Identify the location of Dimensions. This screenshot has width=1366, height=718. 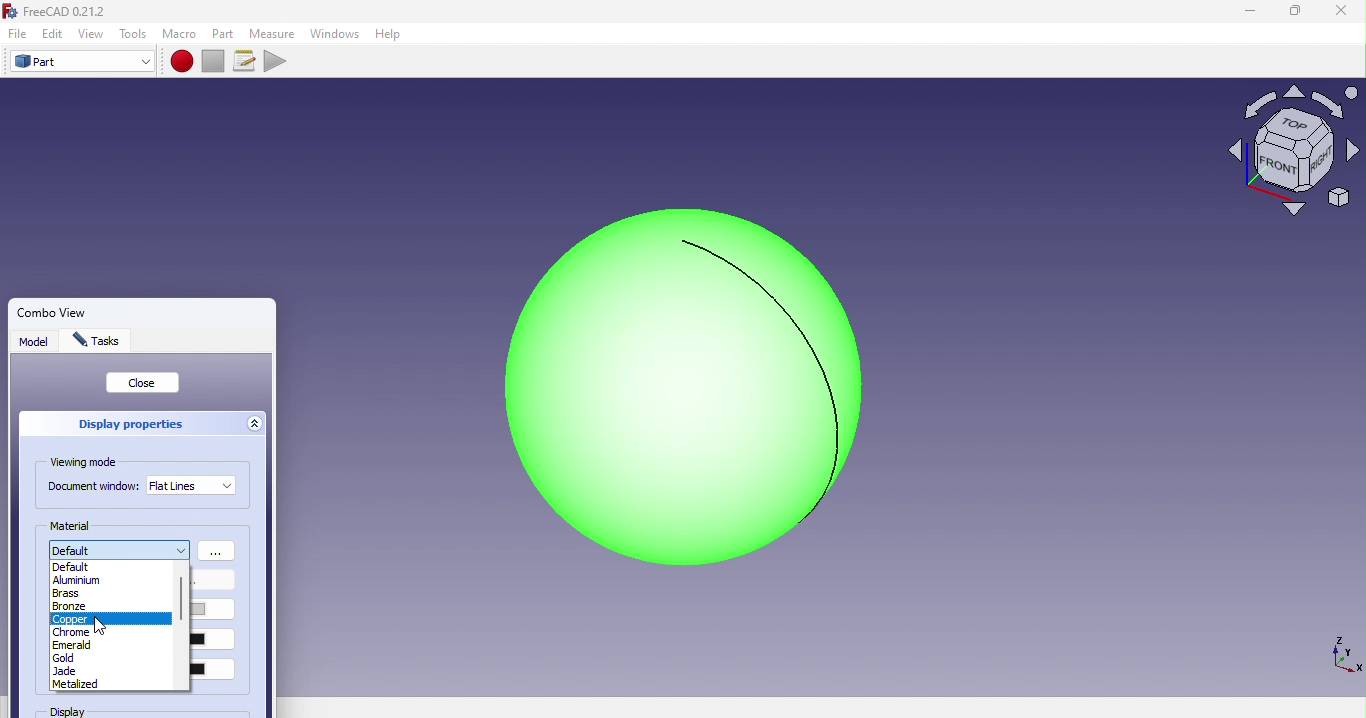
(1342, 653).